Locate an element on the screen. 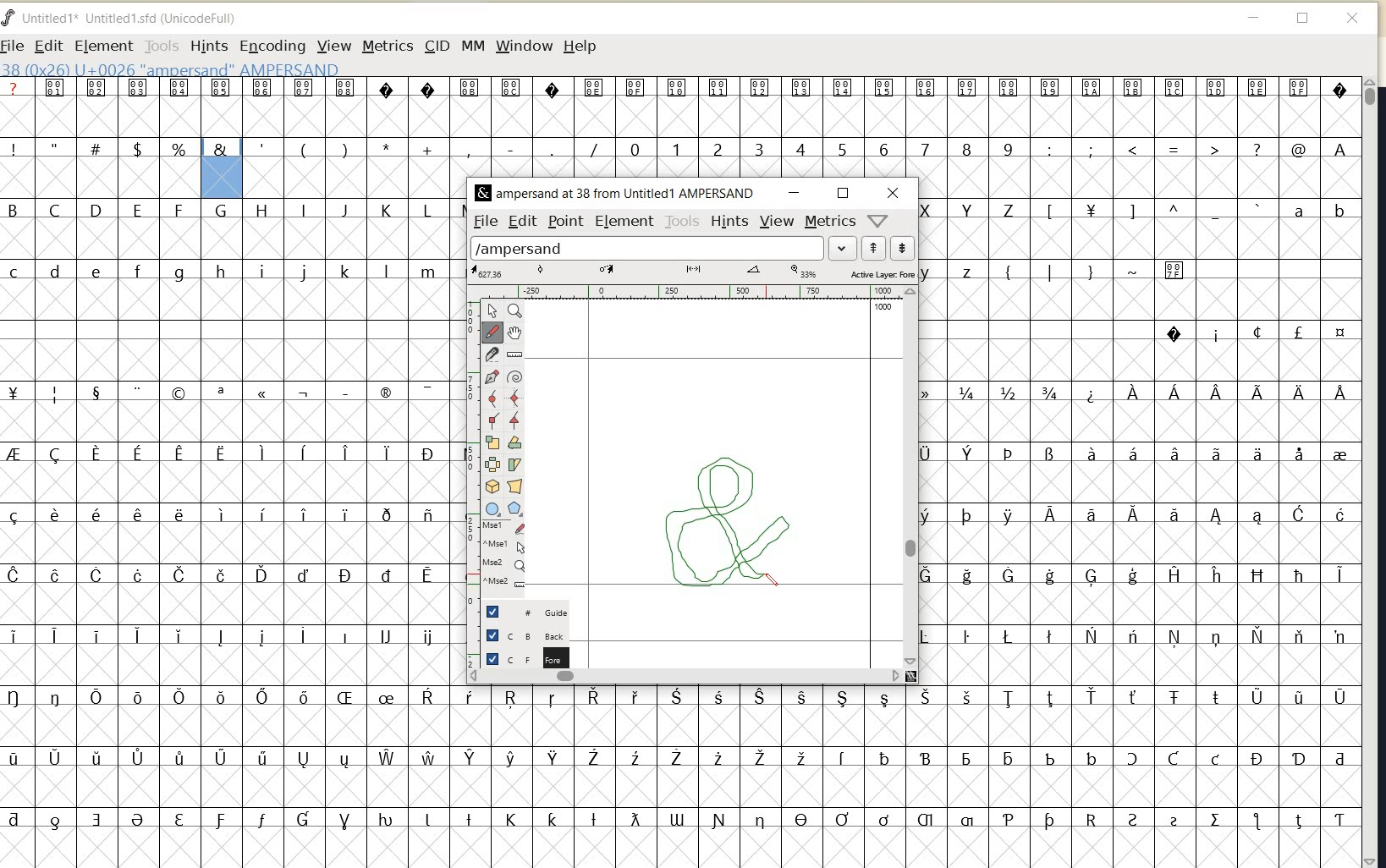 The image size is (1386, 868). FONT NAME is located at coordinates (614, 194).